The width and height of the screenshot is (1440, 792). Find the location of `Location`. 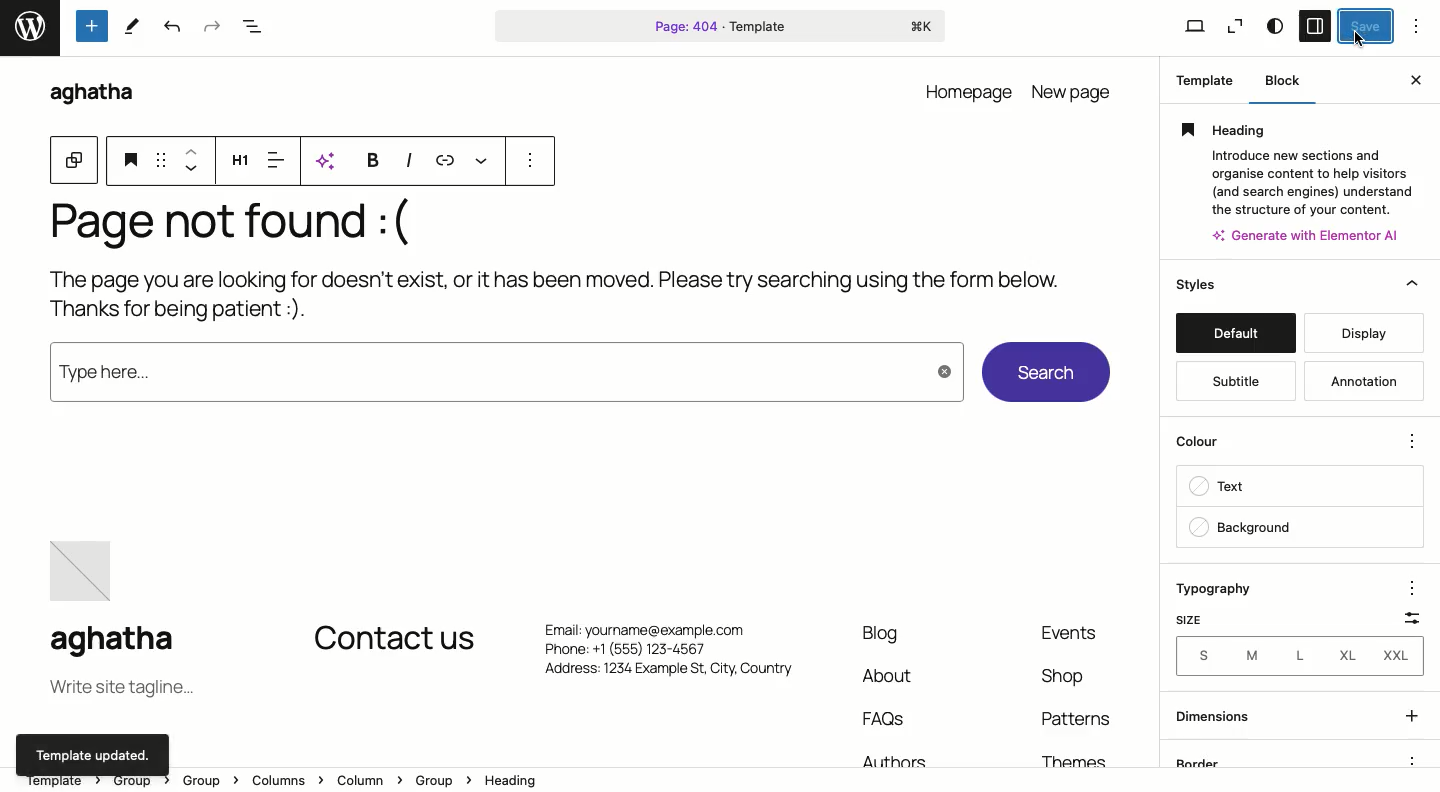

Location is located at coordinates (721, 783).